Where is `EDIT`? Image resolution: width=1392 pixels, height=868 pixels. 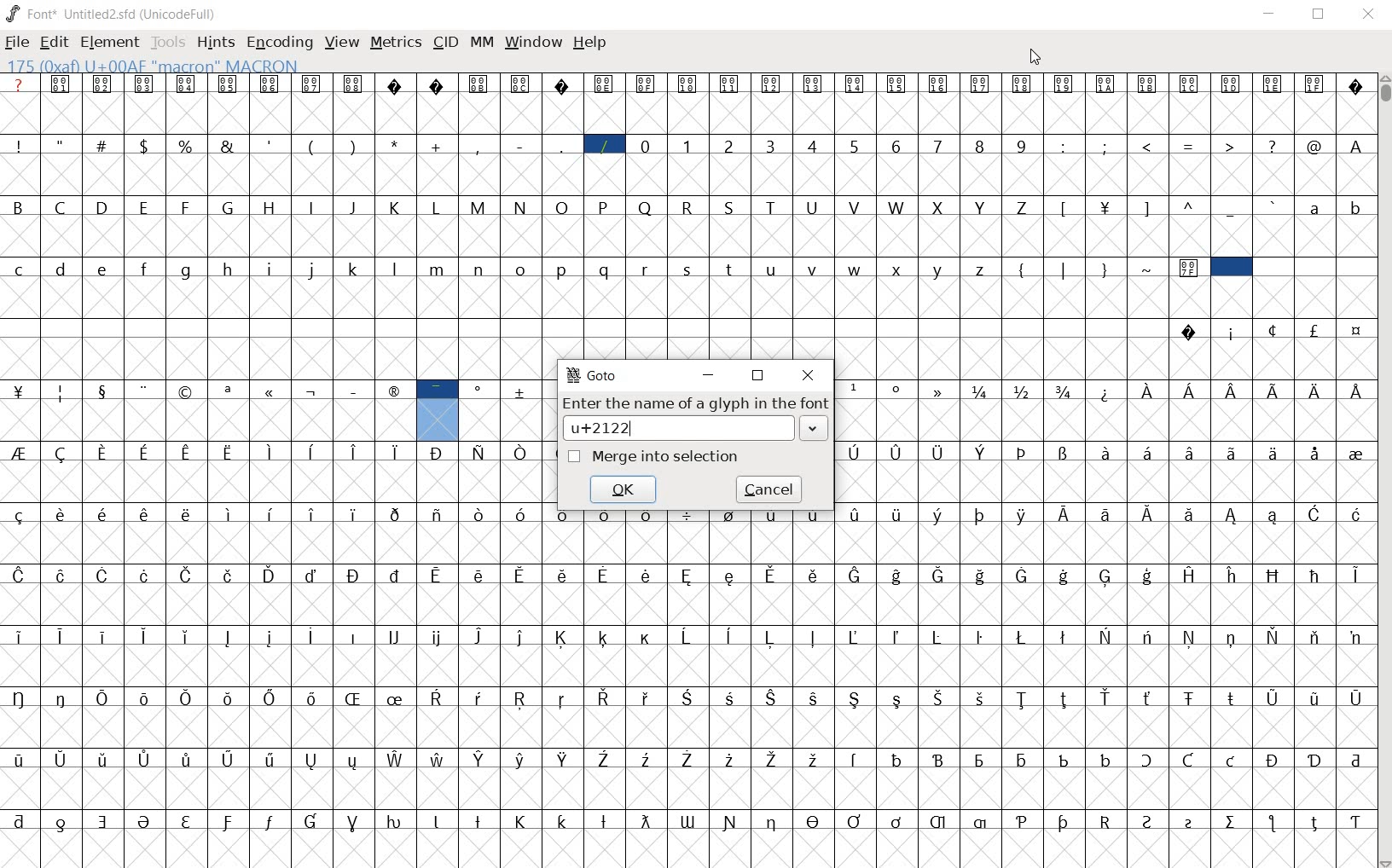 EDIT is located at coordinates (54, 42).